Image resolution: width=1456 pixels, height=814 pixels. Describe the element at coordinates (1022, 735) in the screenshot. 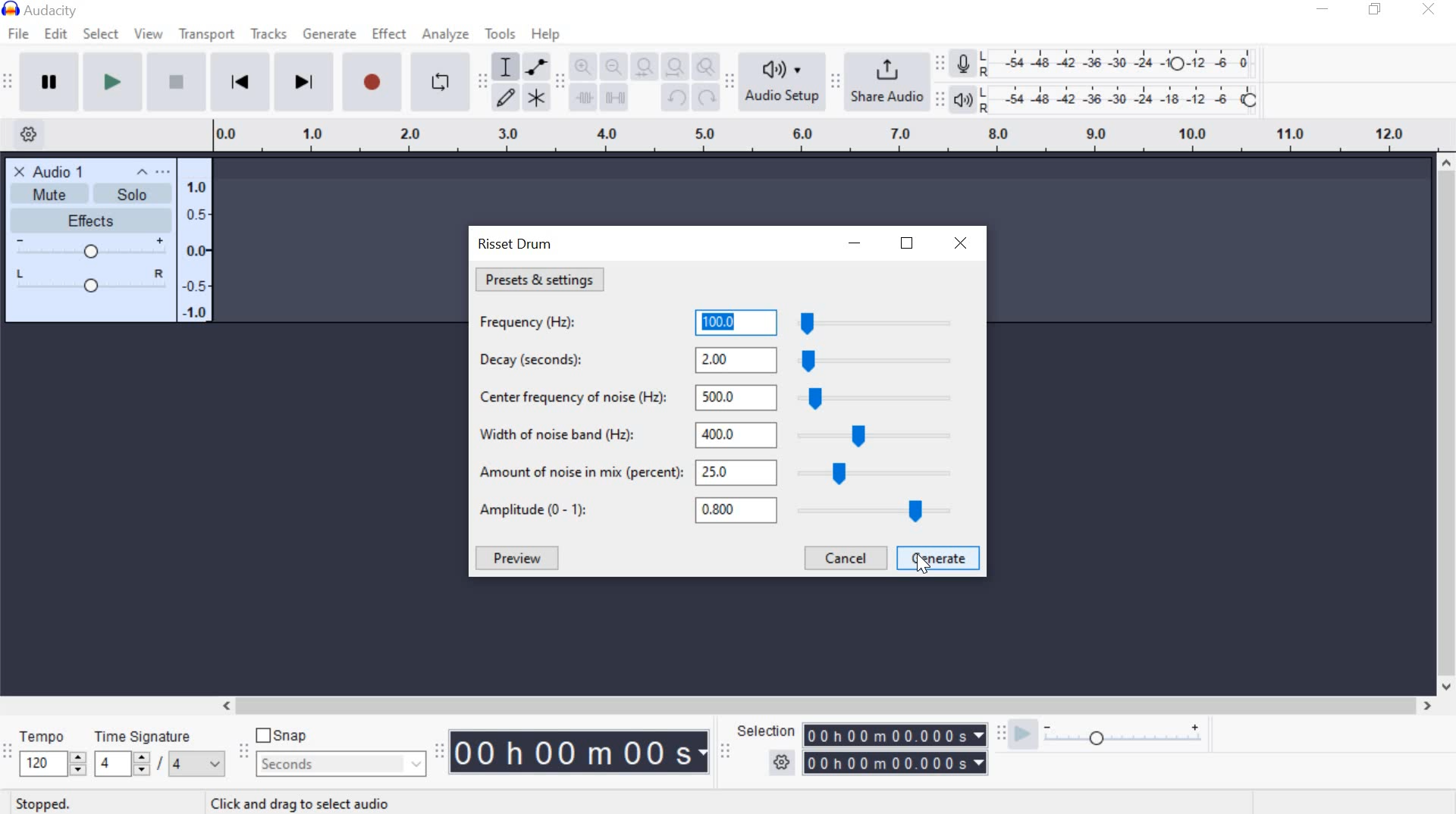

I see `Play-at-speed` at that location.